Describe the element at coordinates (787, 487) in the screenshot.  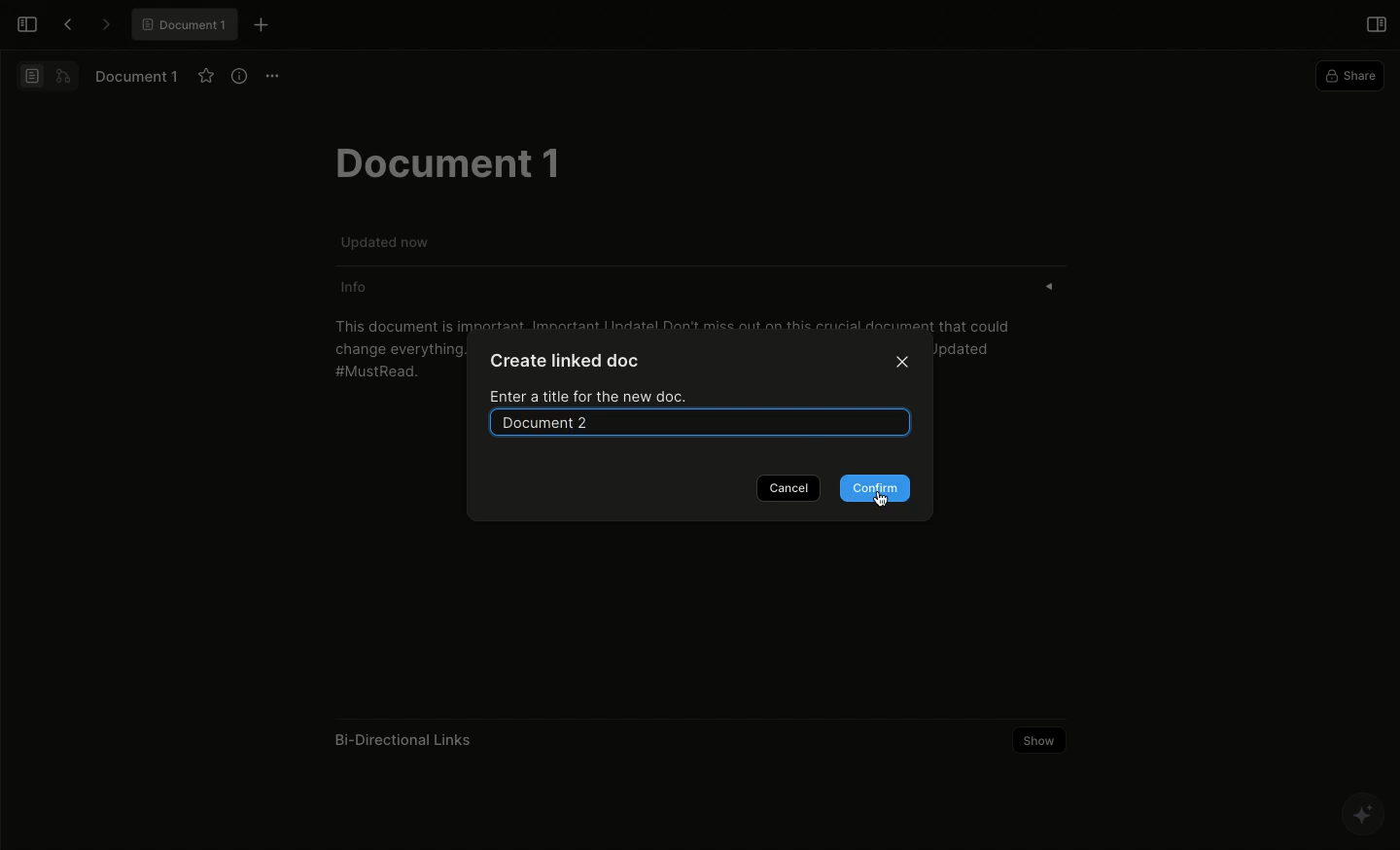
I see `Cancel` at that location.